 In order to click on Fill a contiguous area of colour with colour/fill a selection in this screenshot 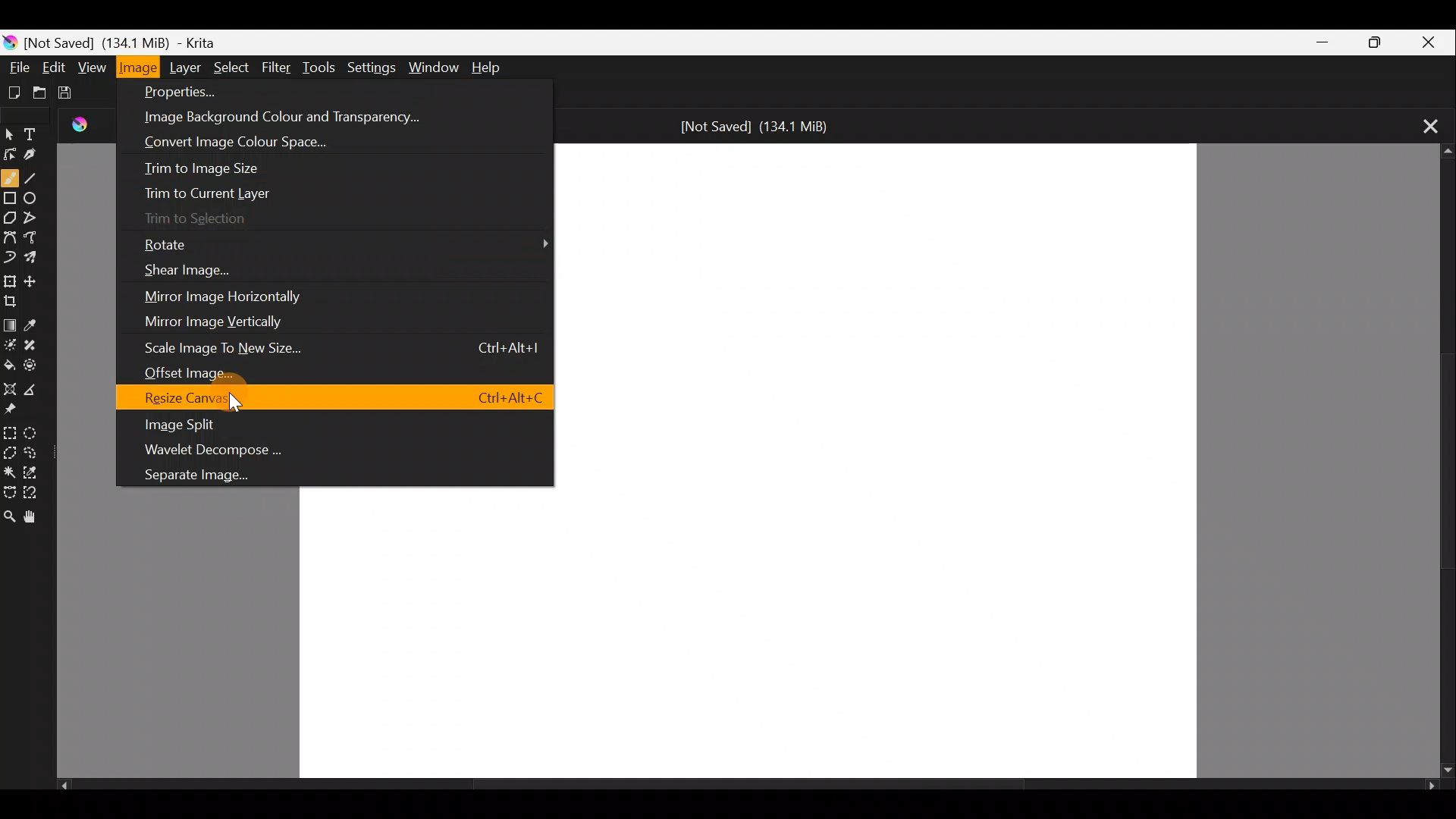, I will do `click(9, 363)`.